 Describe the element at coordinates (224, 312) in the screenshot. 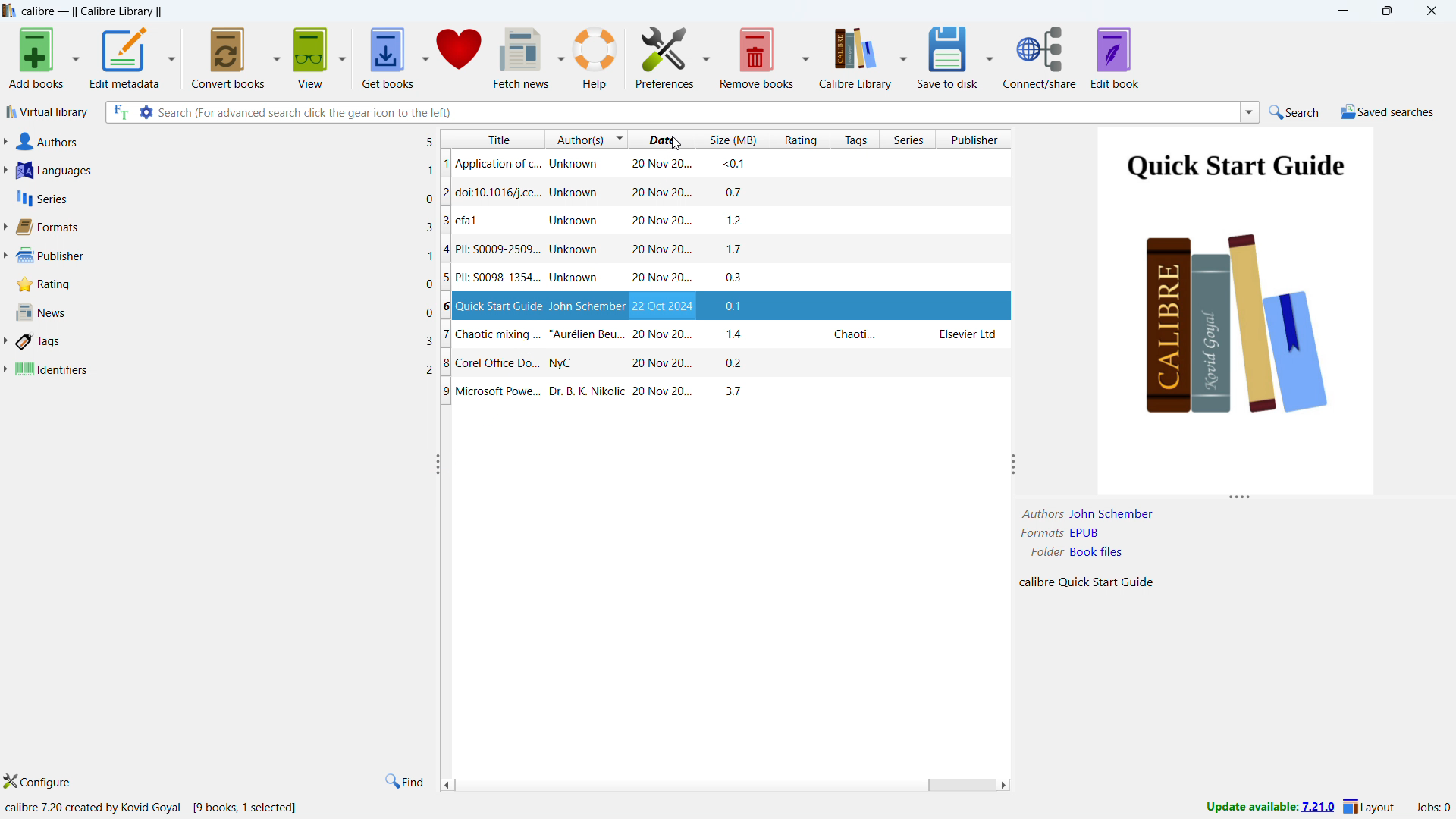

I see `news` at that location.